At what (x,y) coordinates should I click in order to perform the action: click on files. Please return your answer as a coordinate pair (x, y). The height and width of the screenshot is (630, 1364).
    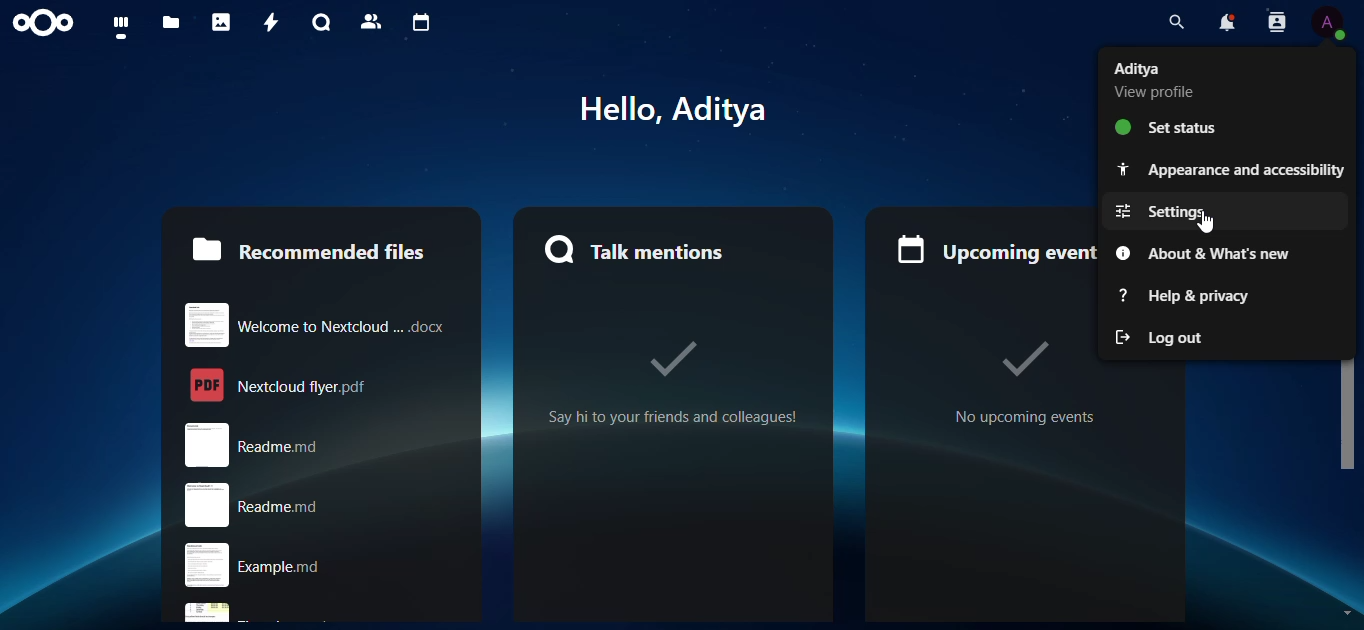
    Looking at the image, I should click on (172, 23).